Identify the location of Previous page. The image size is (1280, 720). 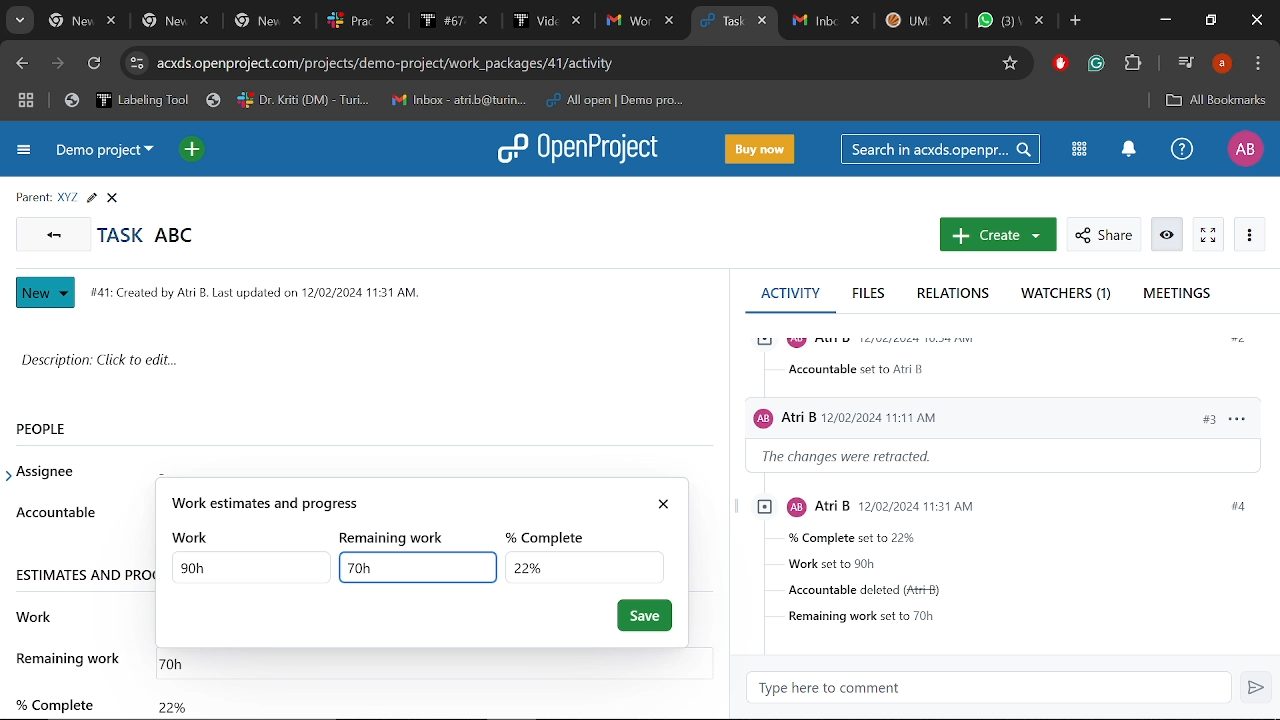
(21, 63).